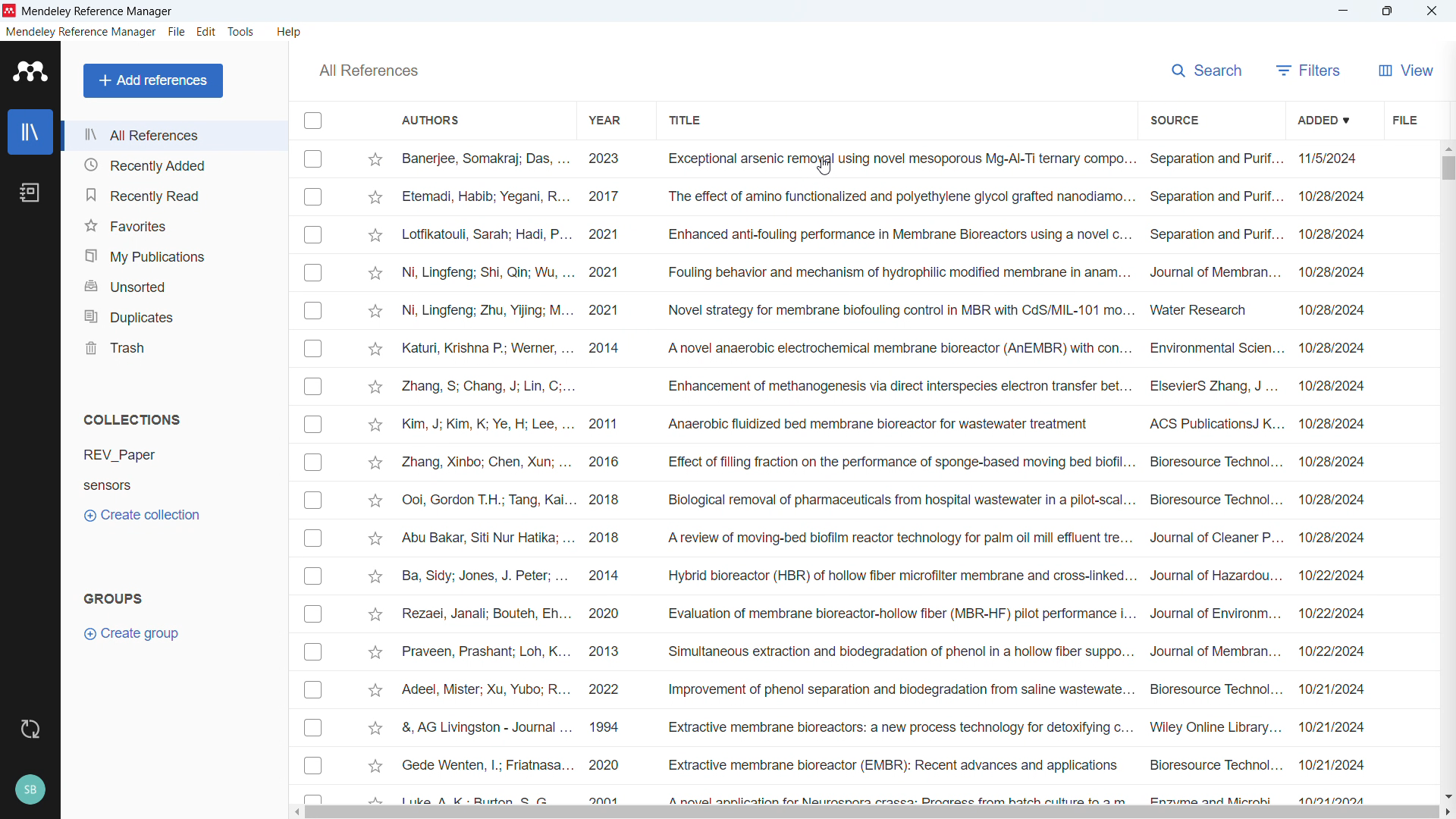  I want to click on click to select individual entry, so click(315, 578).